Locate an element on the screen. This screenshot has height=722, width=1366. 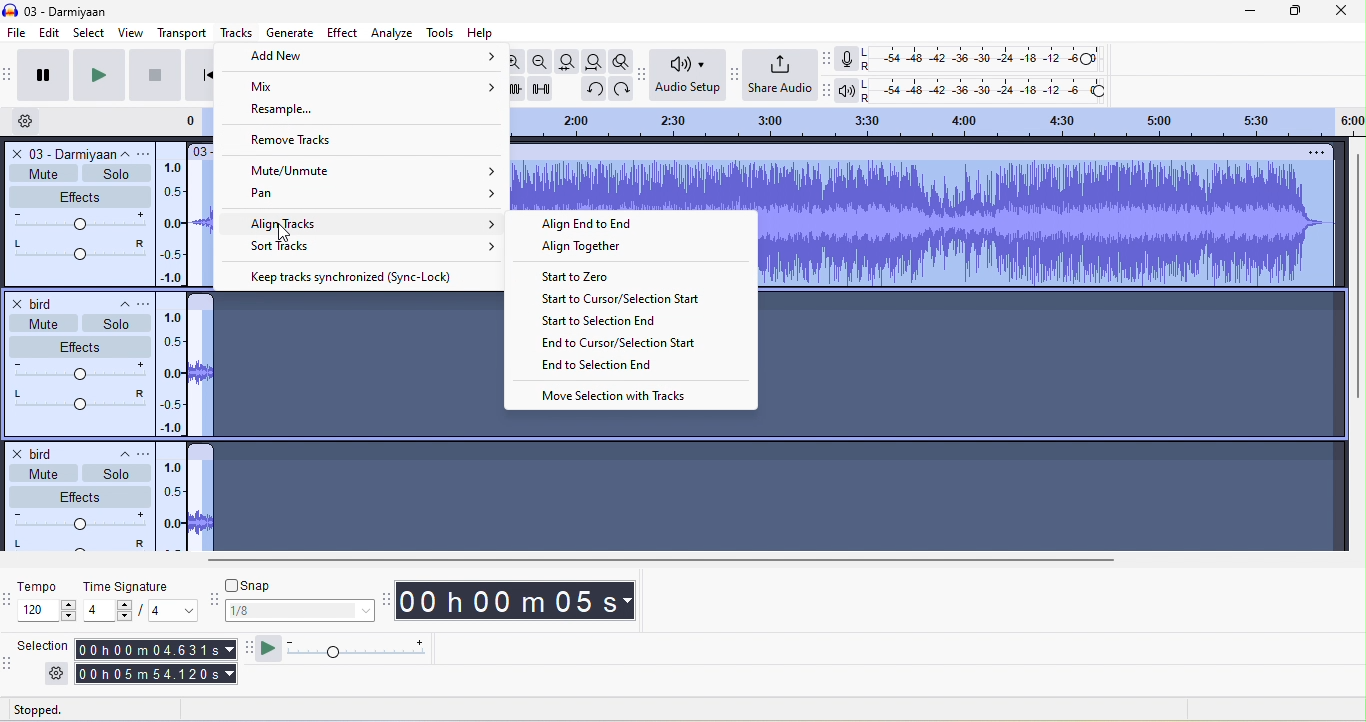
pan:center is located at coordinates (78, 400).